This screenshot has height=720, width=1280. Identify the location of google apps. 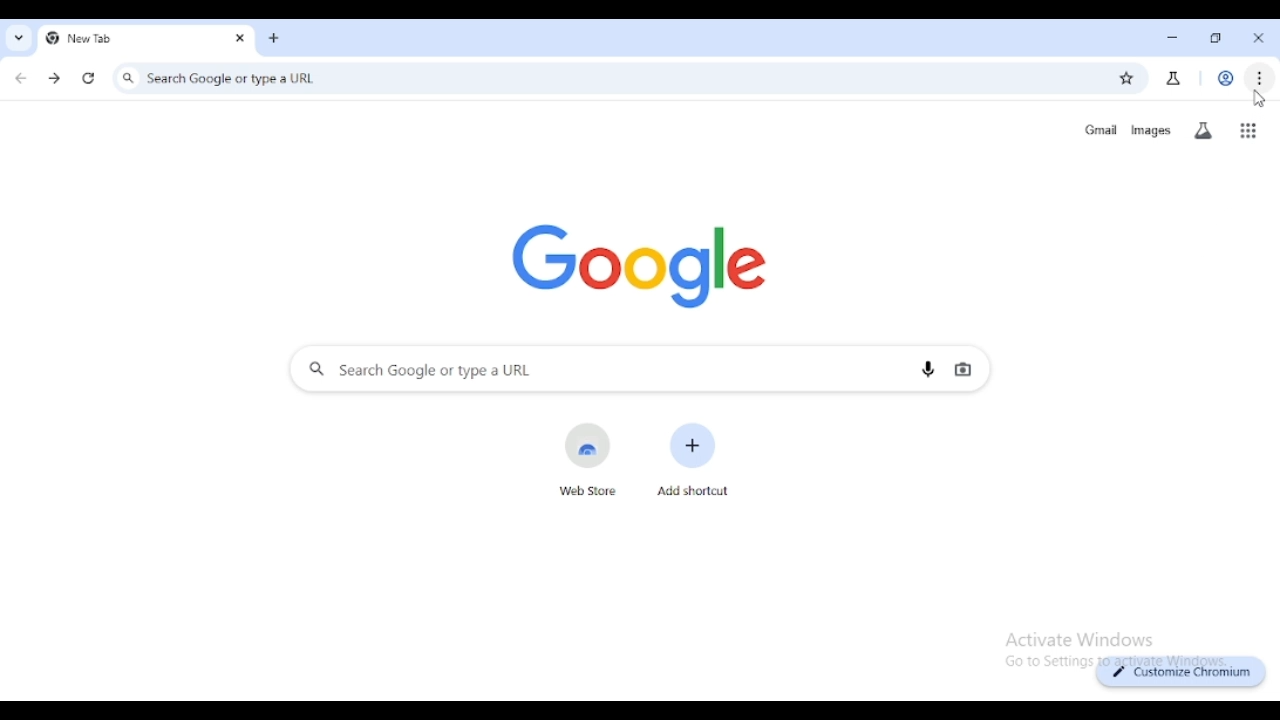
(1248, 130).